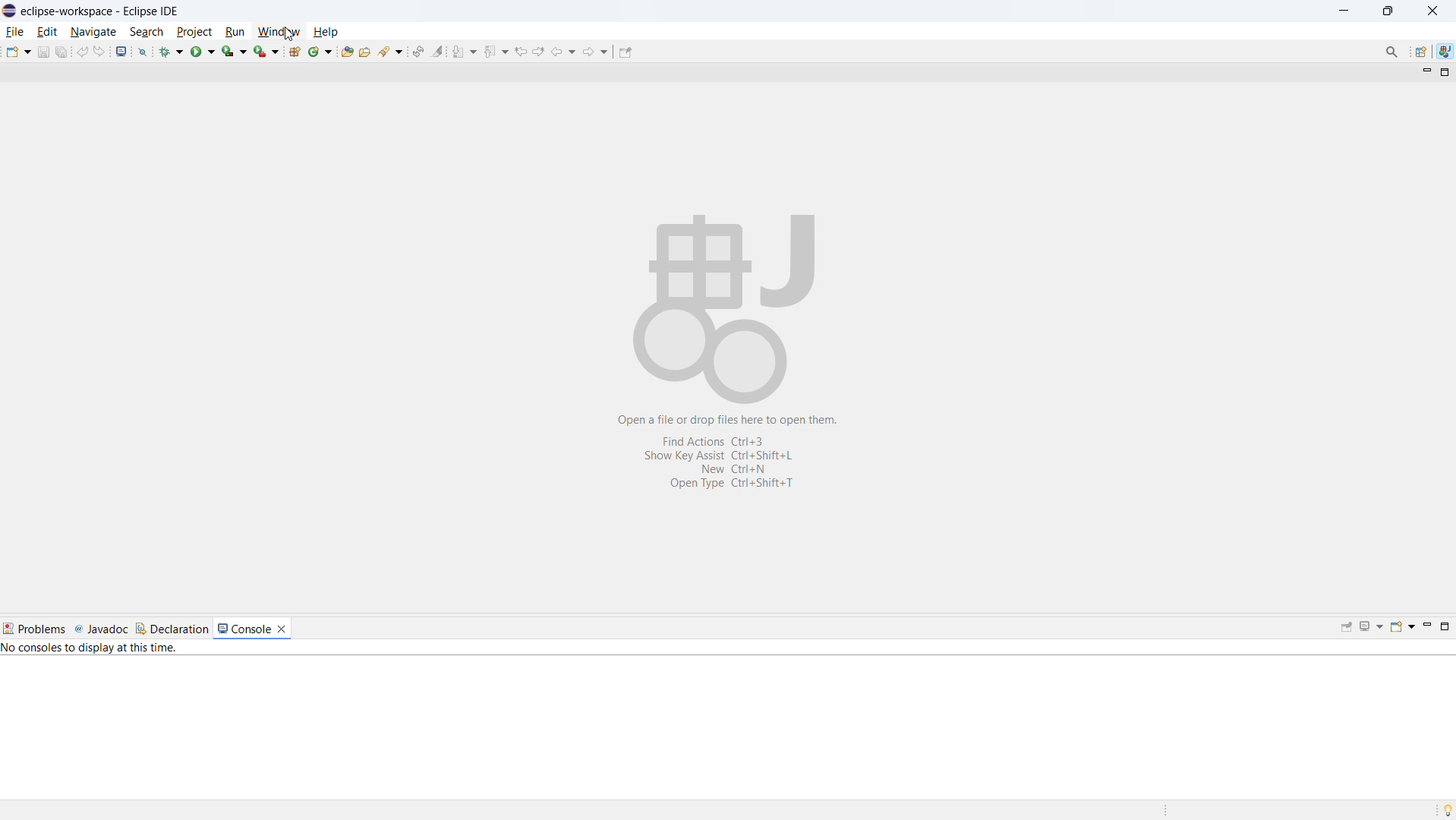 This screenshot has height=820, width=1456. I want to click on minimize, so click(1344, 11).